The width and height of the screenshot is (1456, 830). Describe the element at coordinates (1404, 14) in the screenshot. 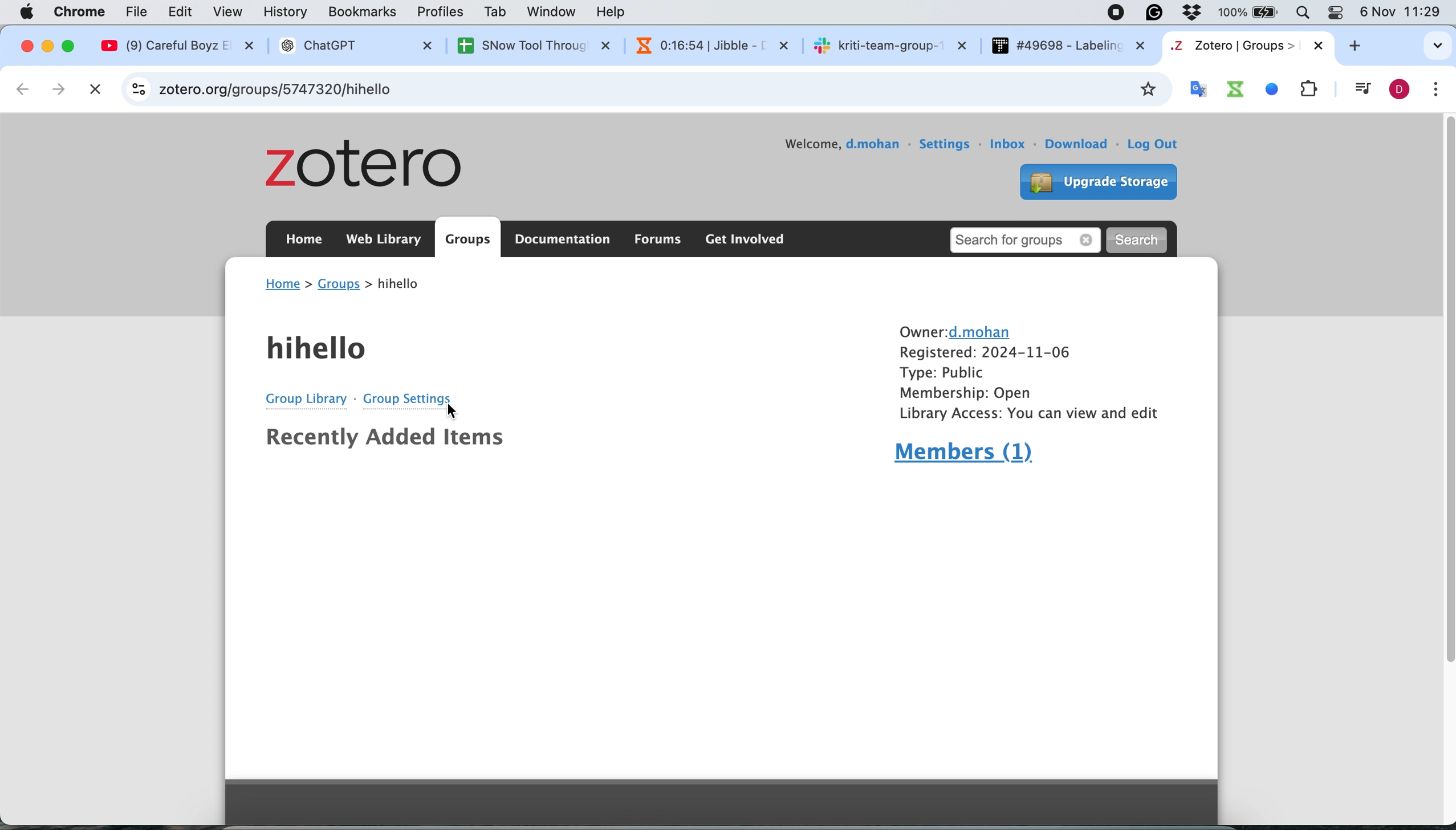

I see `6 Nov 11:29` at that location.